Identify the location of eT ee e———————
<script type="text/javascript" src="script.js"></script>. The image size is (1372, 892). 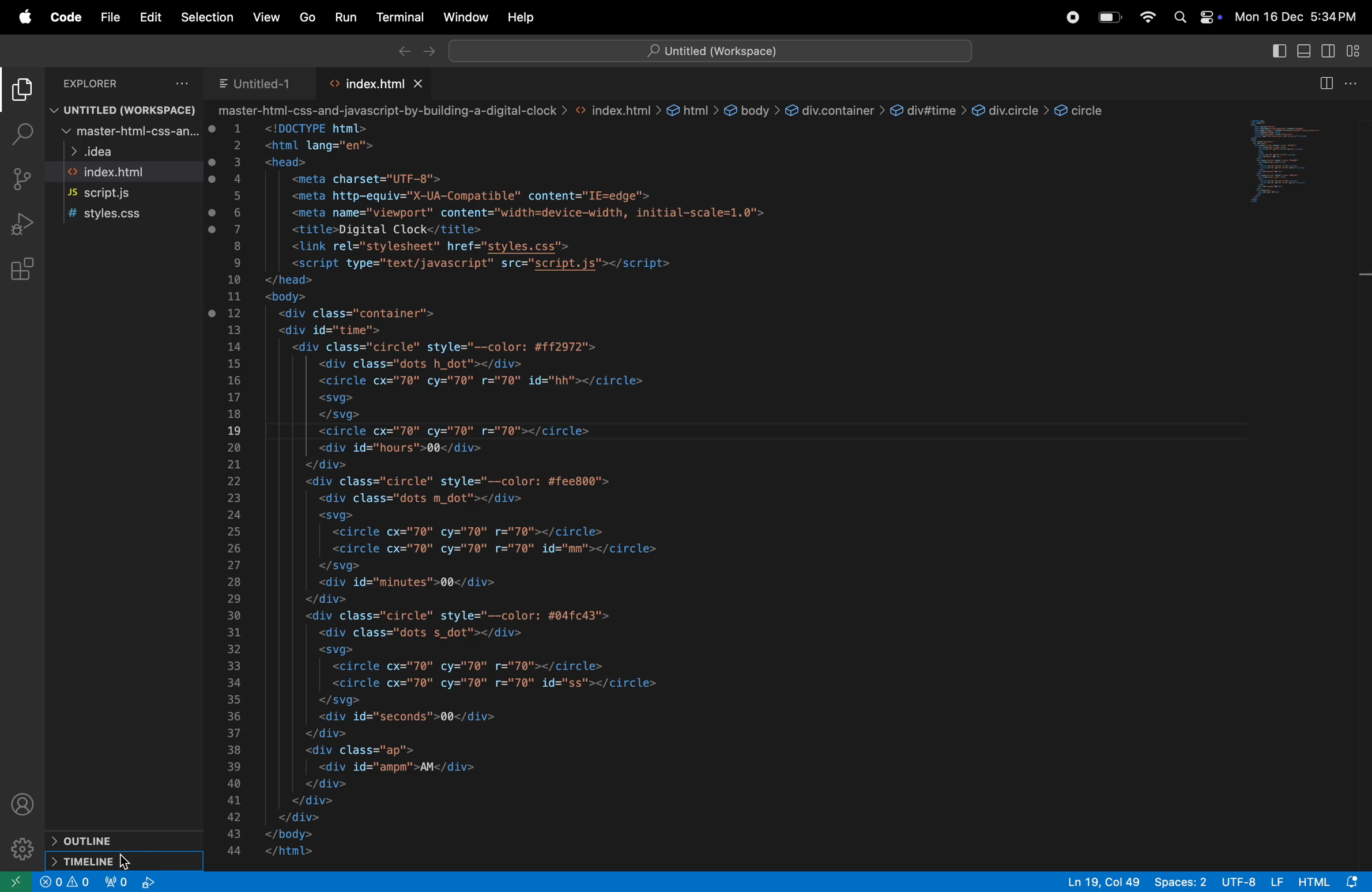
(491, 263).